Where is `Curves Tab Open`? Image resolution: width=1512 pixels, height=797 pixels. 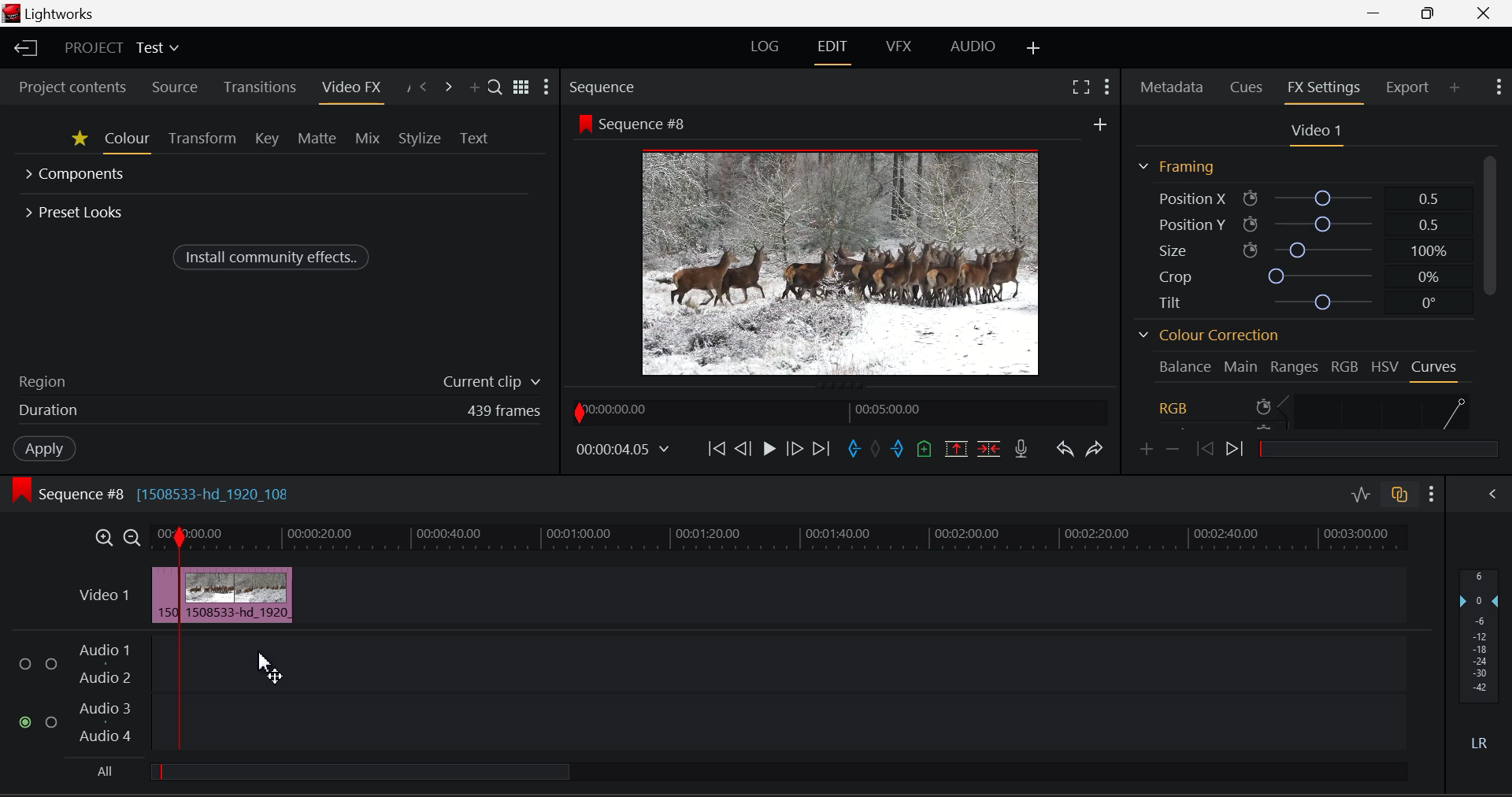 Curves Tab Open is located at coordinates (1433, 369).